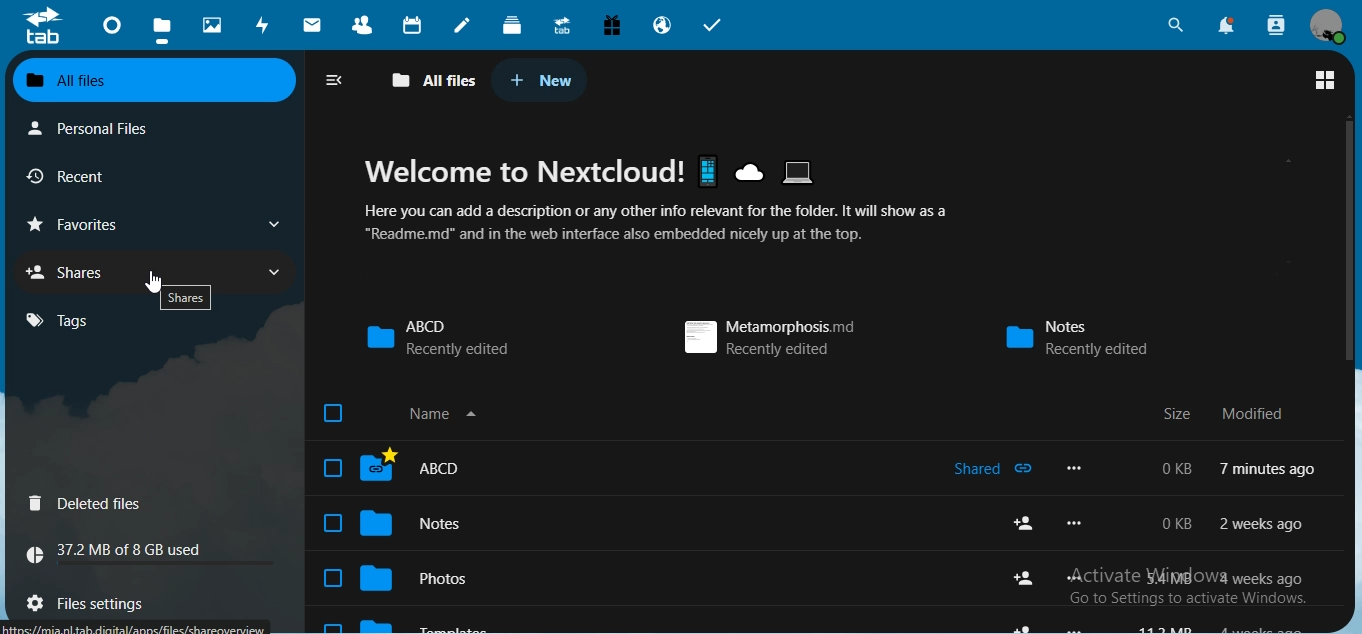 This screenshot has height=634, width=1362. I want to click on new, so click(540, 77).